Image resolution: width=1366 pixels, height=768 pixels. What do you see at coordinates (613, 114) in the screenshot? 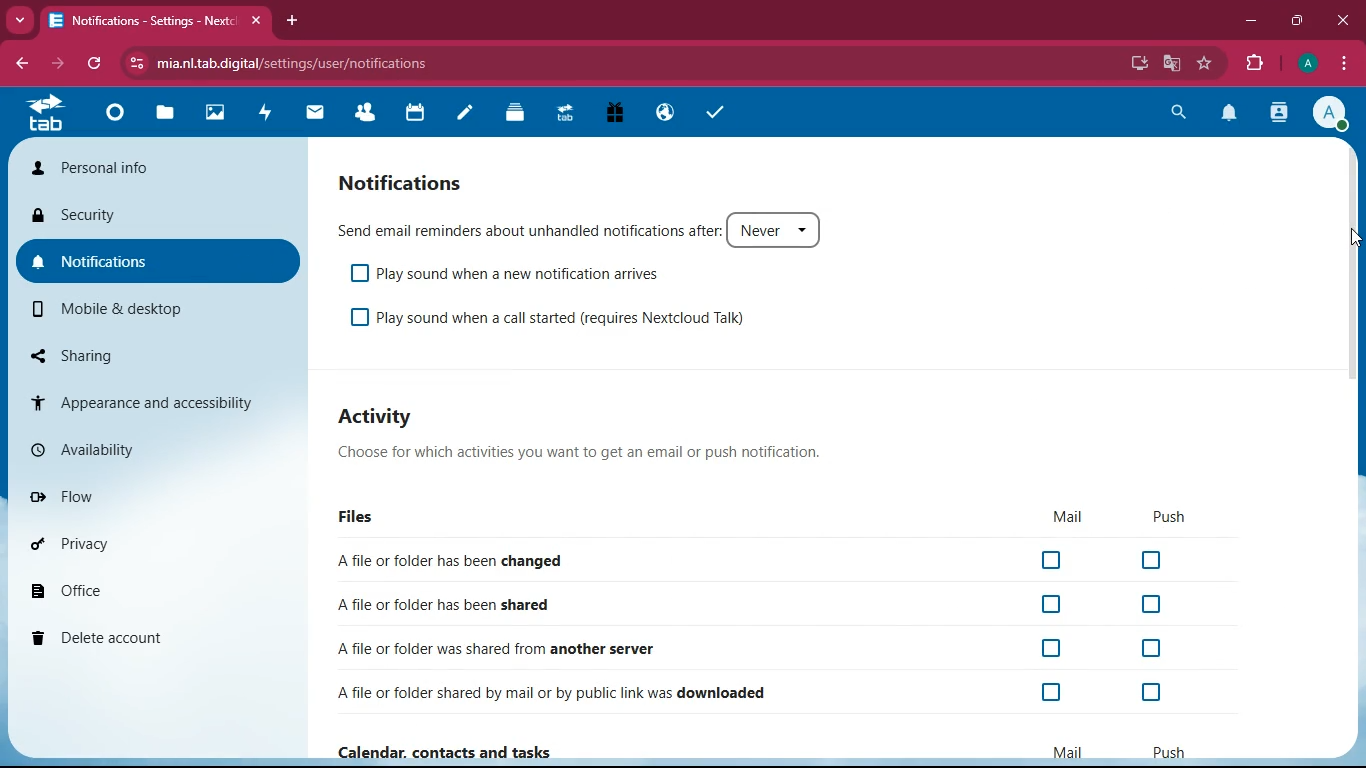
I see `Free Trial` at bounding box center [613, 114].